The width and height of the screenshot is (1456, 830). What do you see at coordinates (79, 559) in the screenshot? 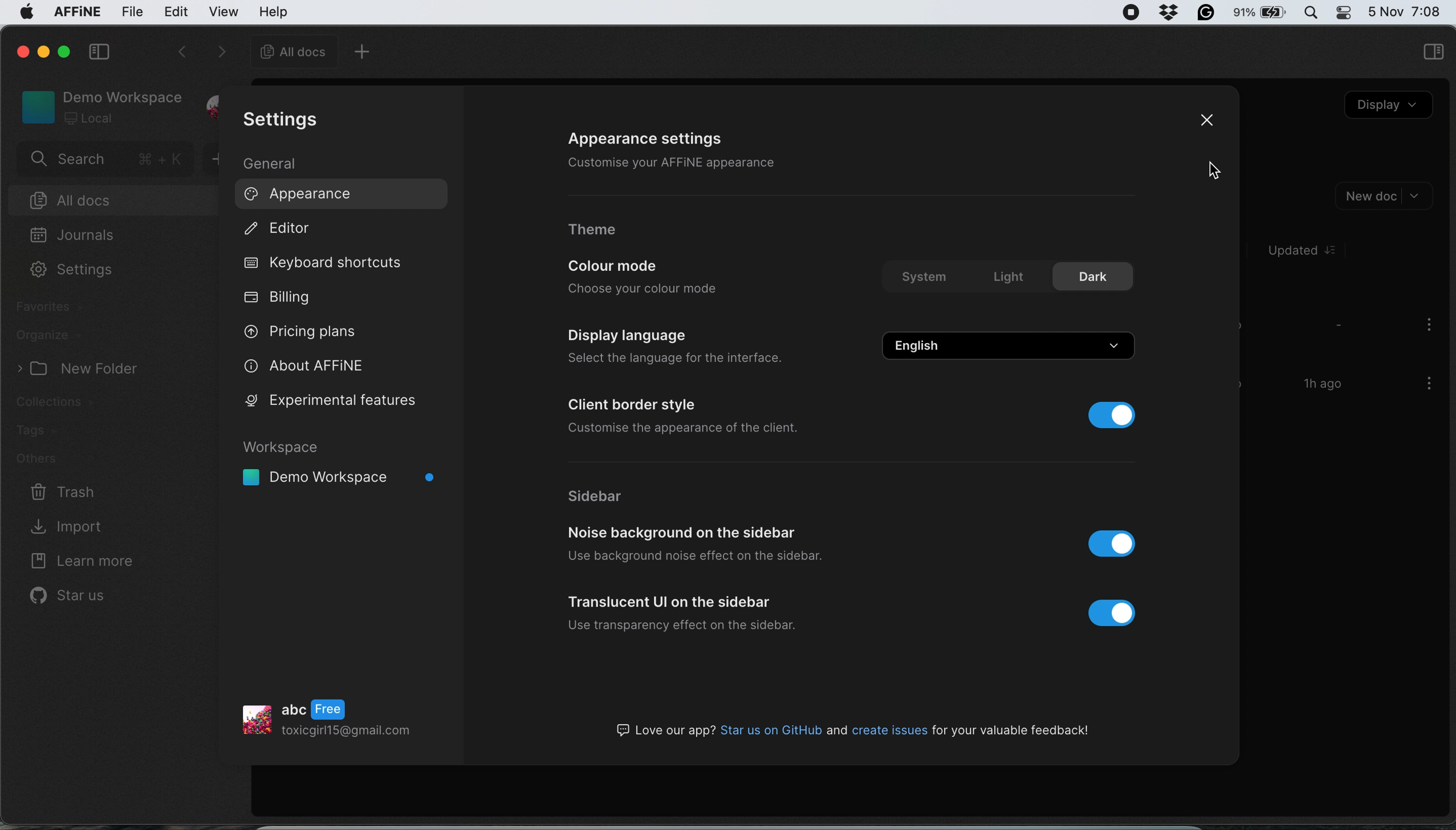
I see `learn more` at bounding box center [79, 559].